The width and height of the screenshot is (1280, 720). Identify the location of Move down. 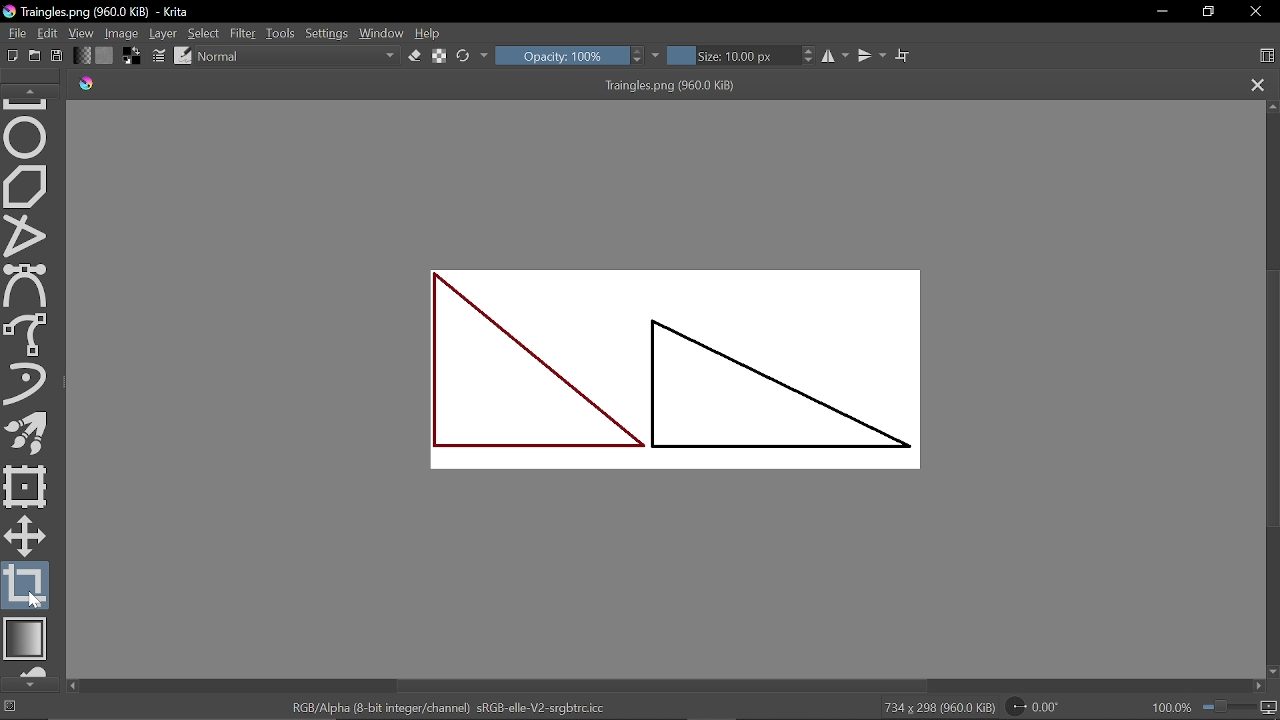
(1272, 672).